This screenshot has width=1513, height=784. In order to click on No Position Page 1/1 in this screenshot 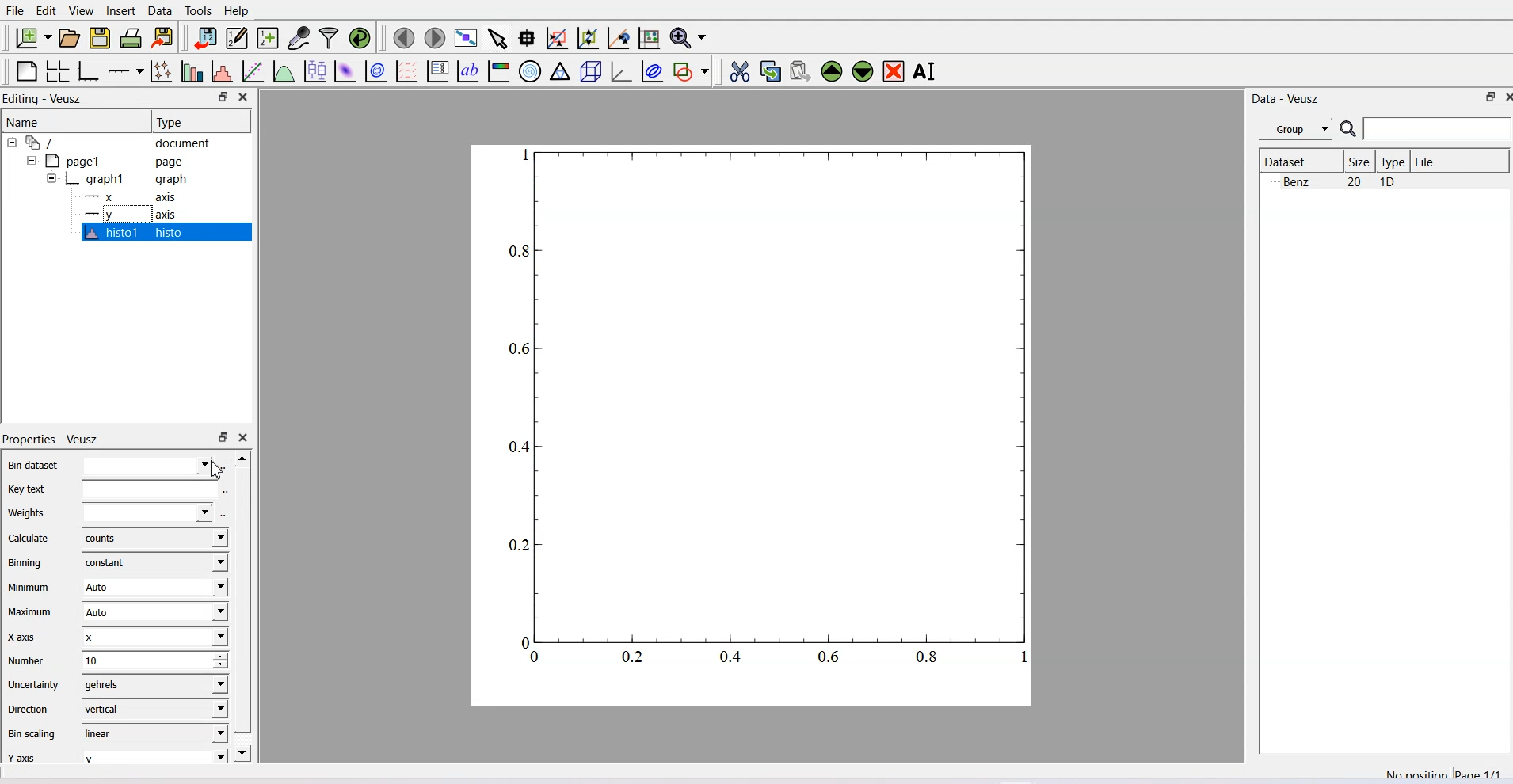, I will do `click(1442, 771)`.